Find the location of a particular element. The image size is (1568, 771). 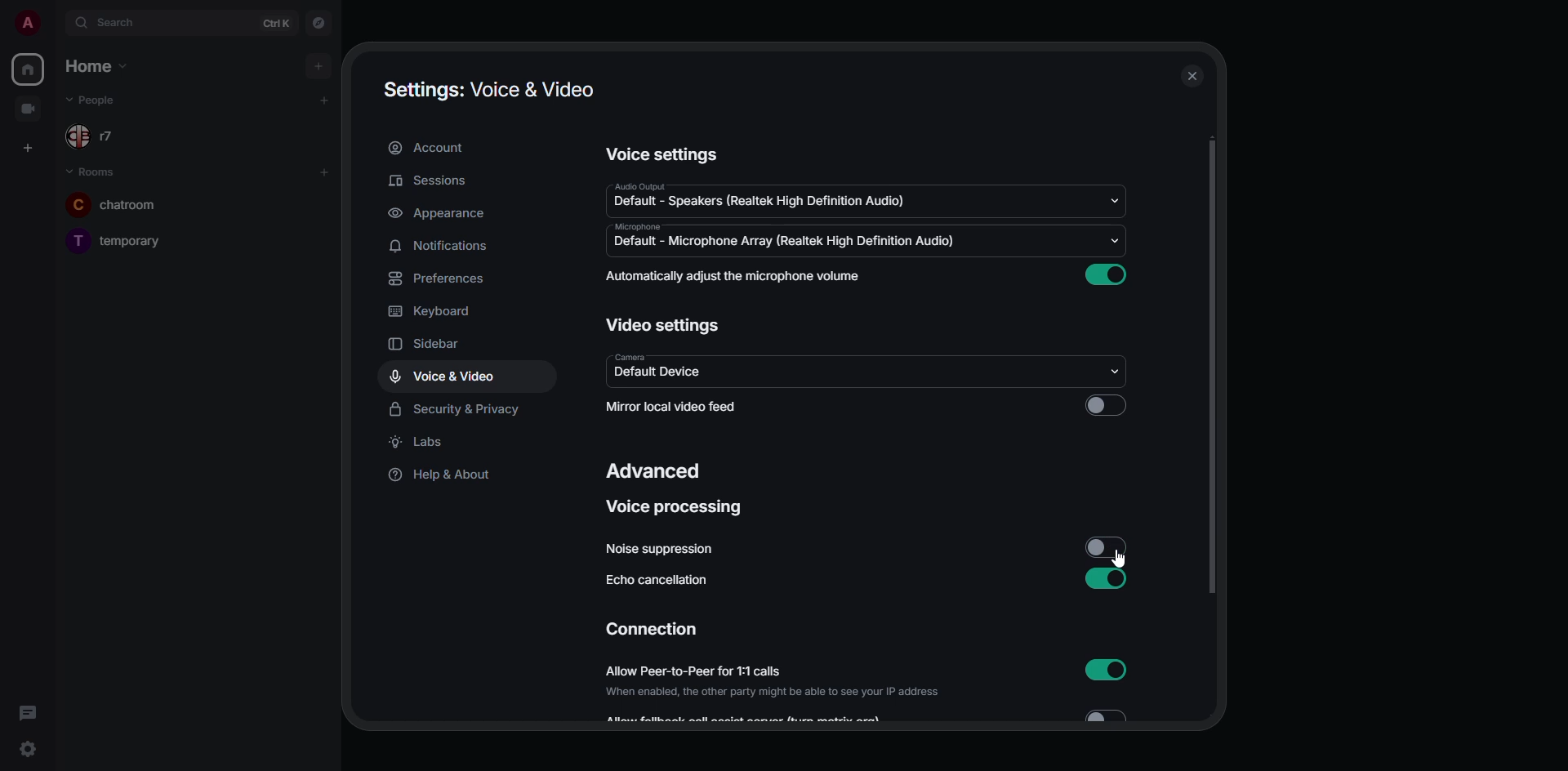

enabled is located at coordinates (1106, 274).